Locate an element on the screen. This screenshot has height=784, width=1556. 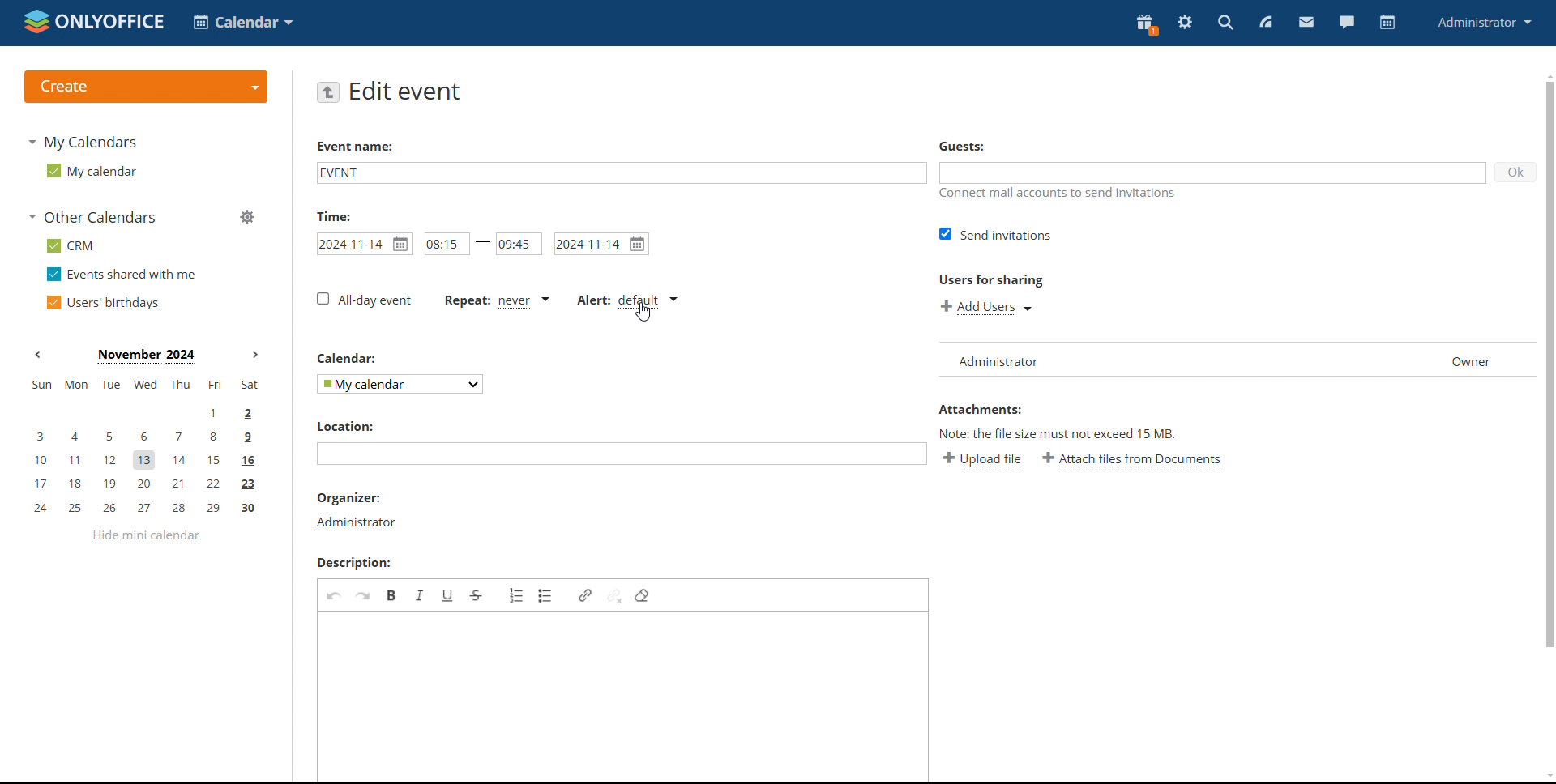
event repetition is located at coordinates (496, 302).